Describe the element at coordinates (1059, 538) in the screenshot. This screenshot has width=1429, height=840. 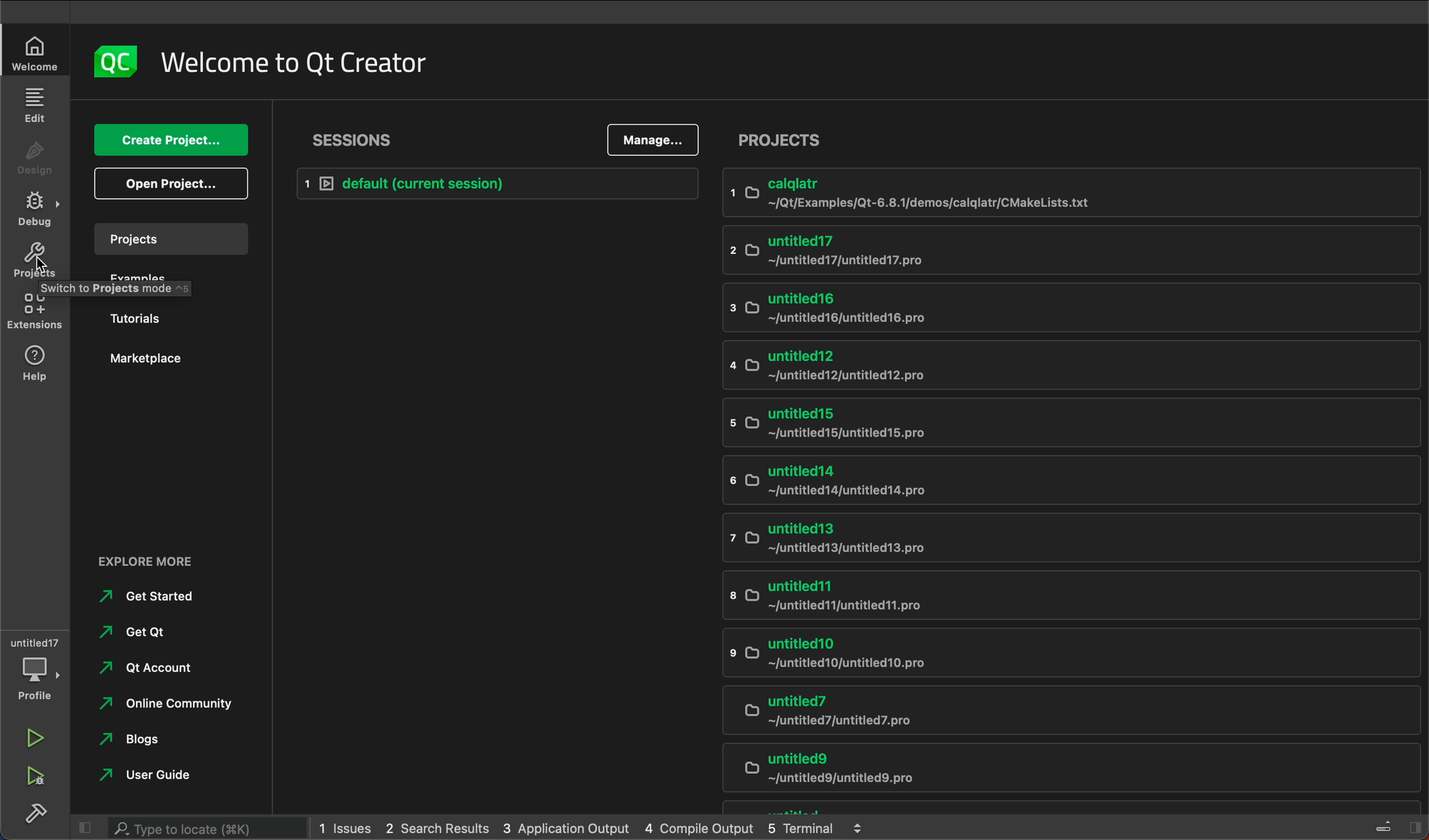
I see `untitled13` at that location.